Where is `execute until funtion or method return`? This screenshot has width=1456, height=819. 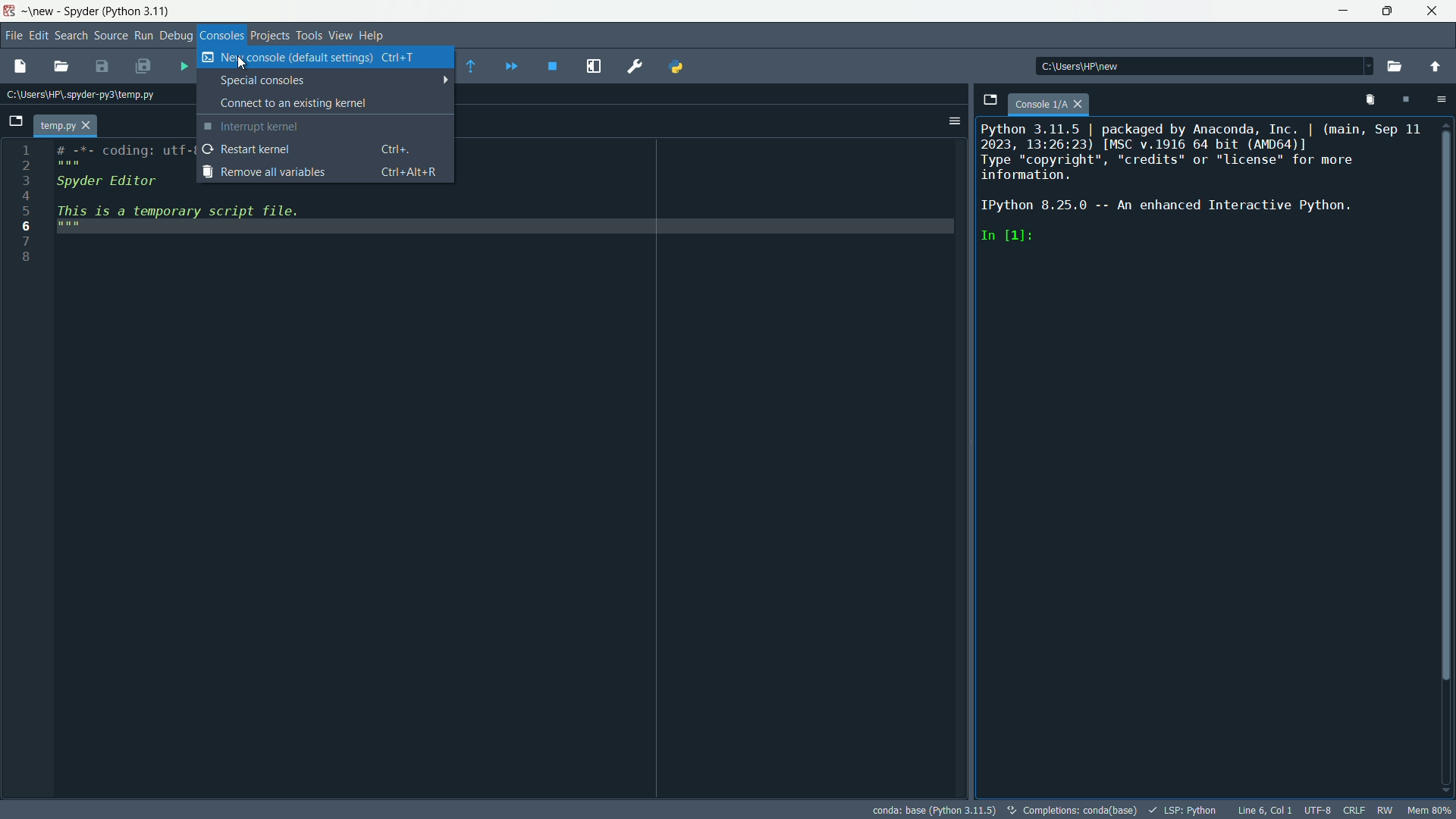
execute until funtion or method return is located at coordinates (470, 66).